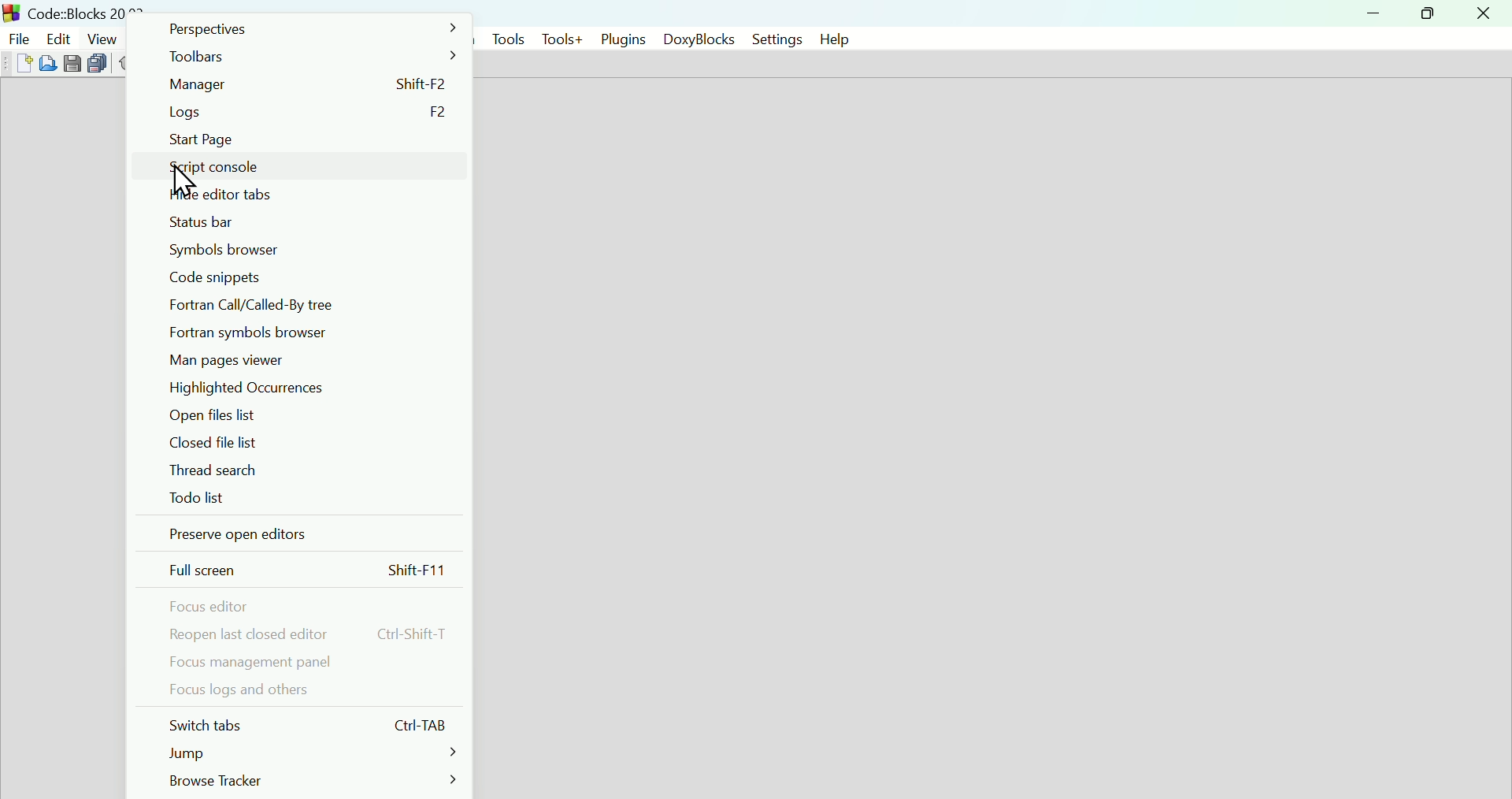  I want to click on Toolbars, so click(307, 55).